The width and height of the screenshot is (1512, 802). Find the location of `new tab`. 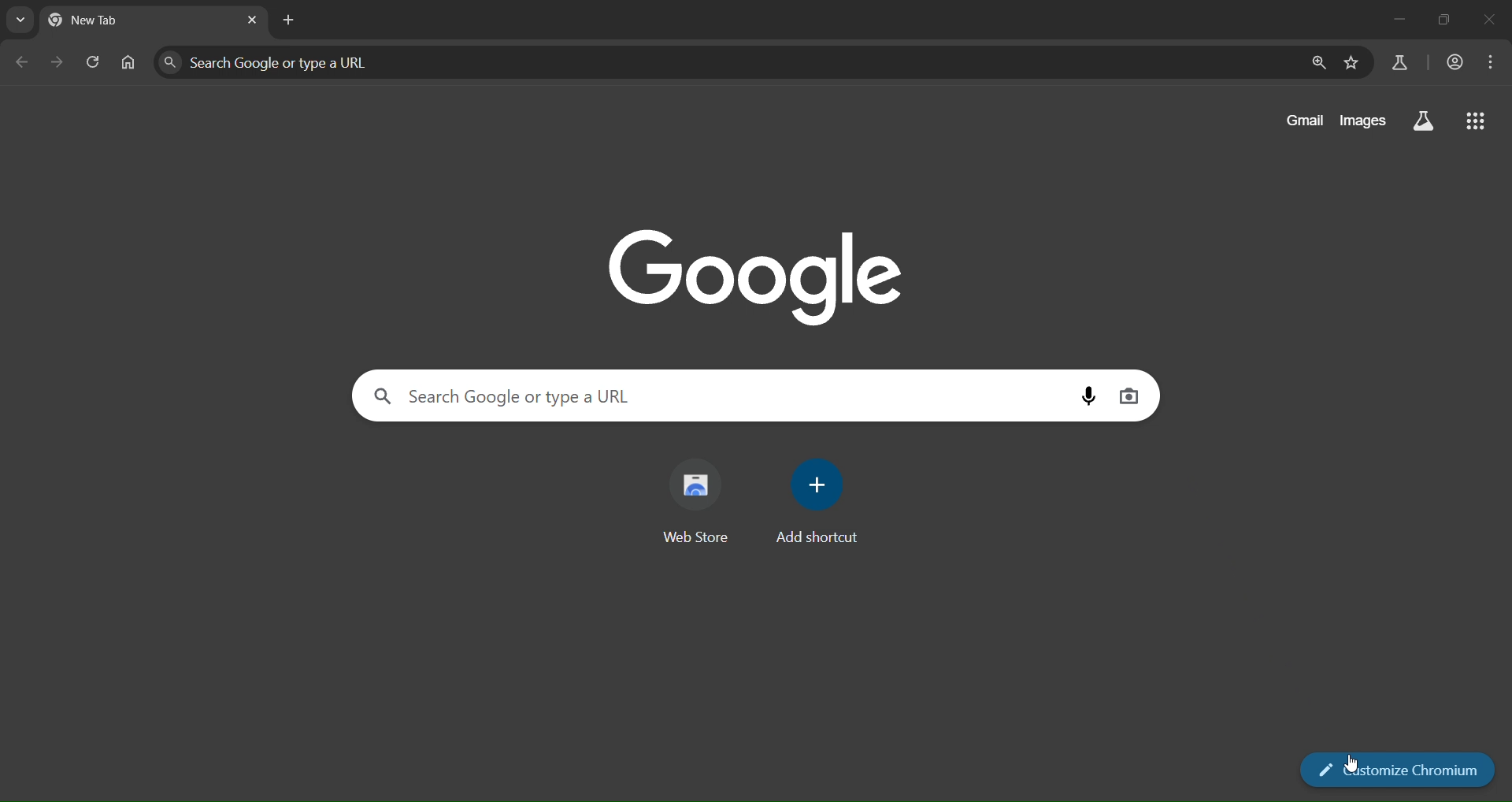

new tab is located at coordinates (289, 19).